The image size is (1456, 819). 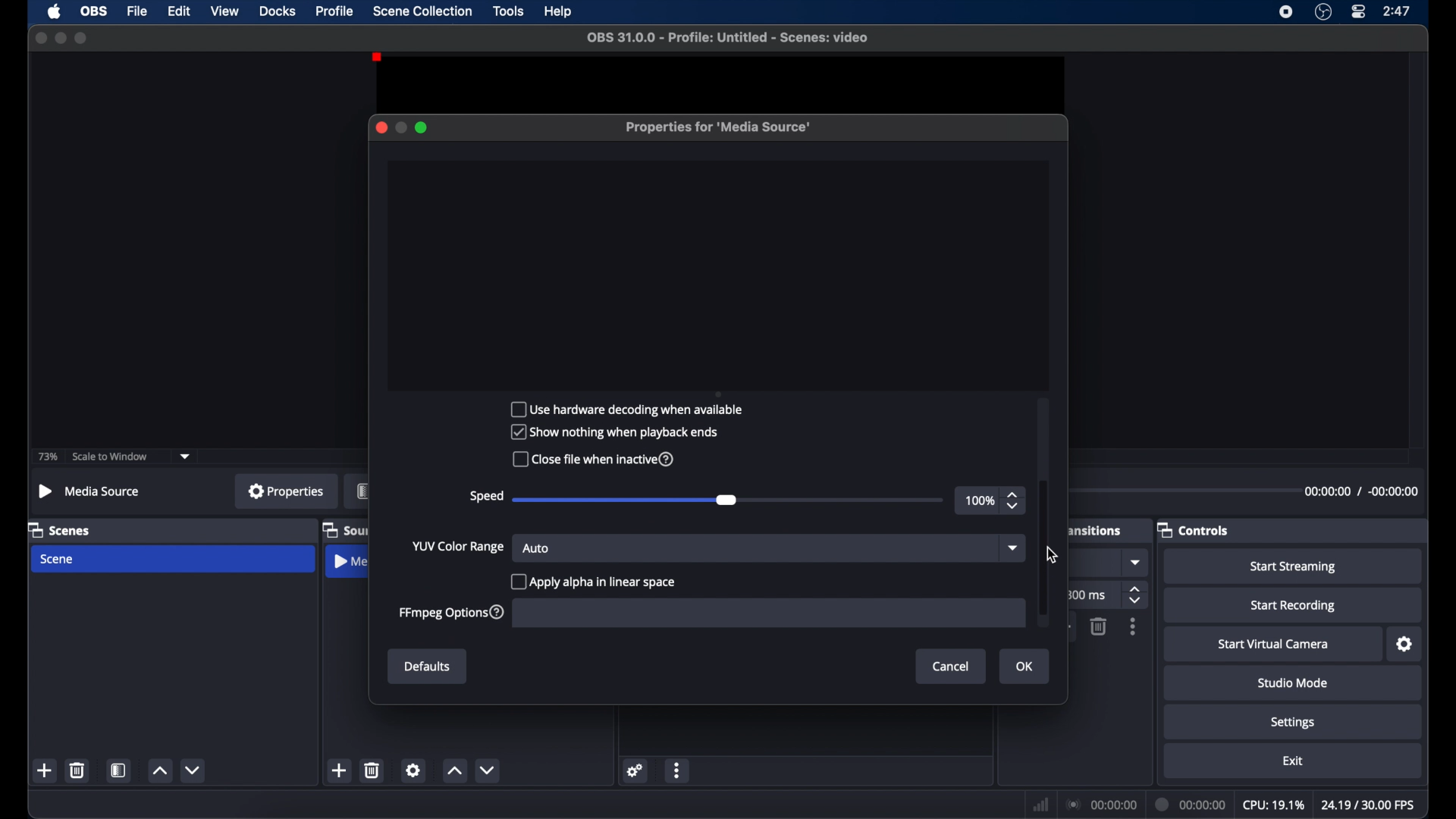 What do you see at coordinates (77, 770) in the screenshot?
I see `delete` at bounding box center [77, 770].